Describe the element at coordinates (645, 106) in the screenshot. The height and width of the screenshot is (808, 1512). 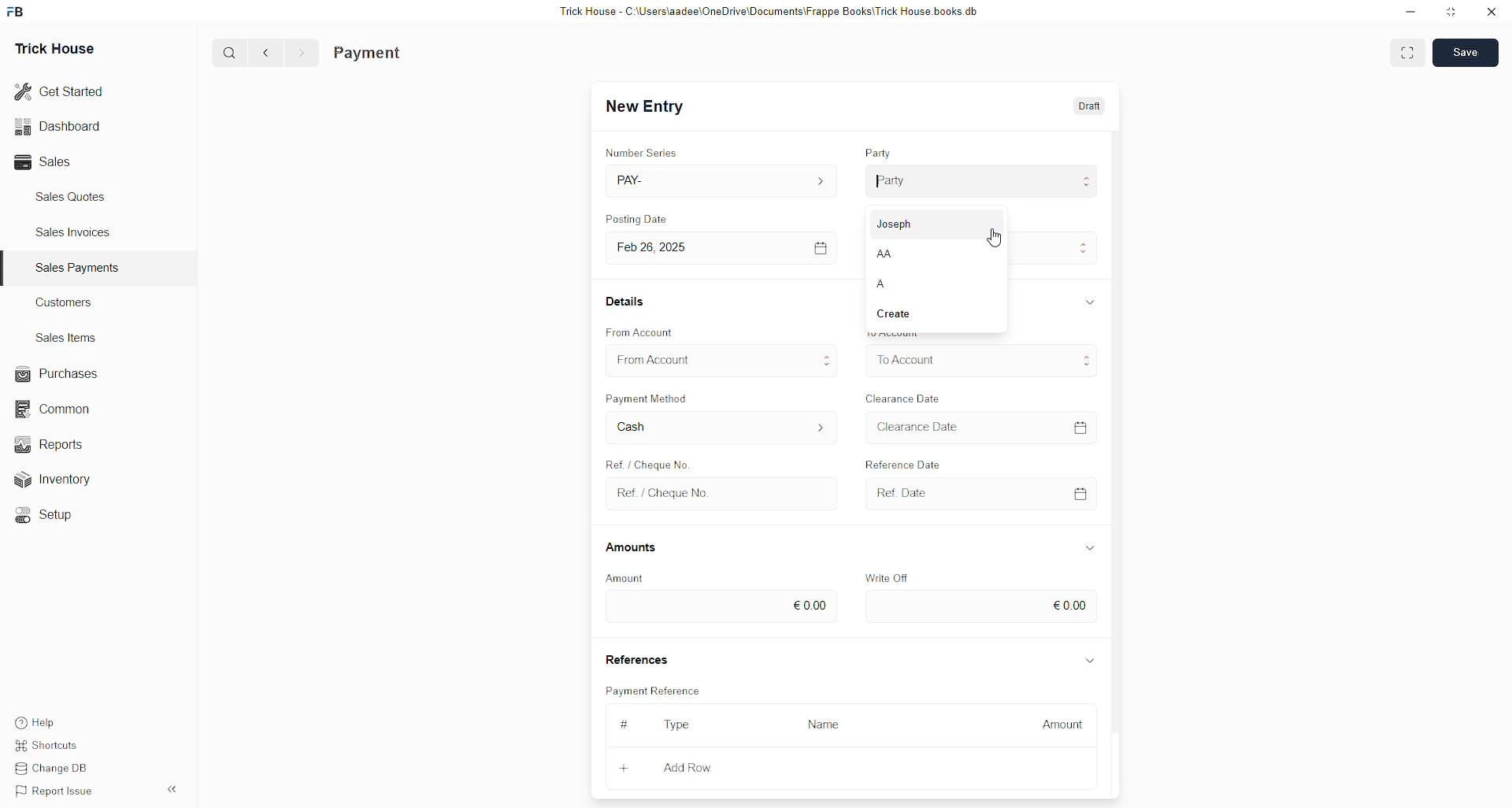
I see `New Entry` at that location.